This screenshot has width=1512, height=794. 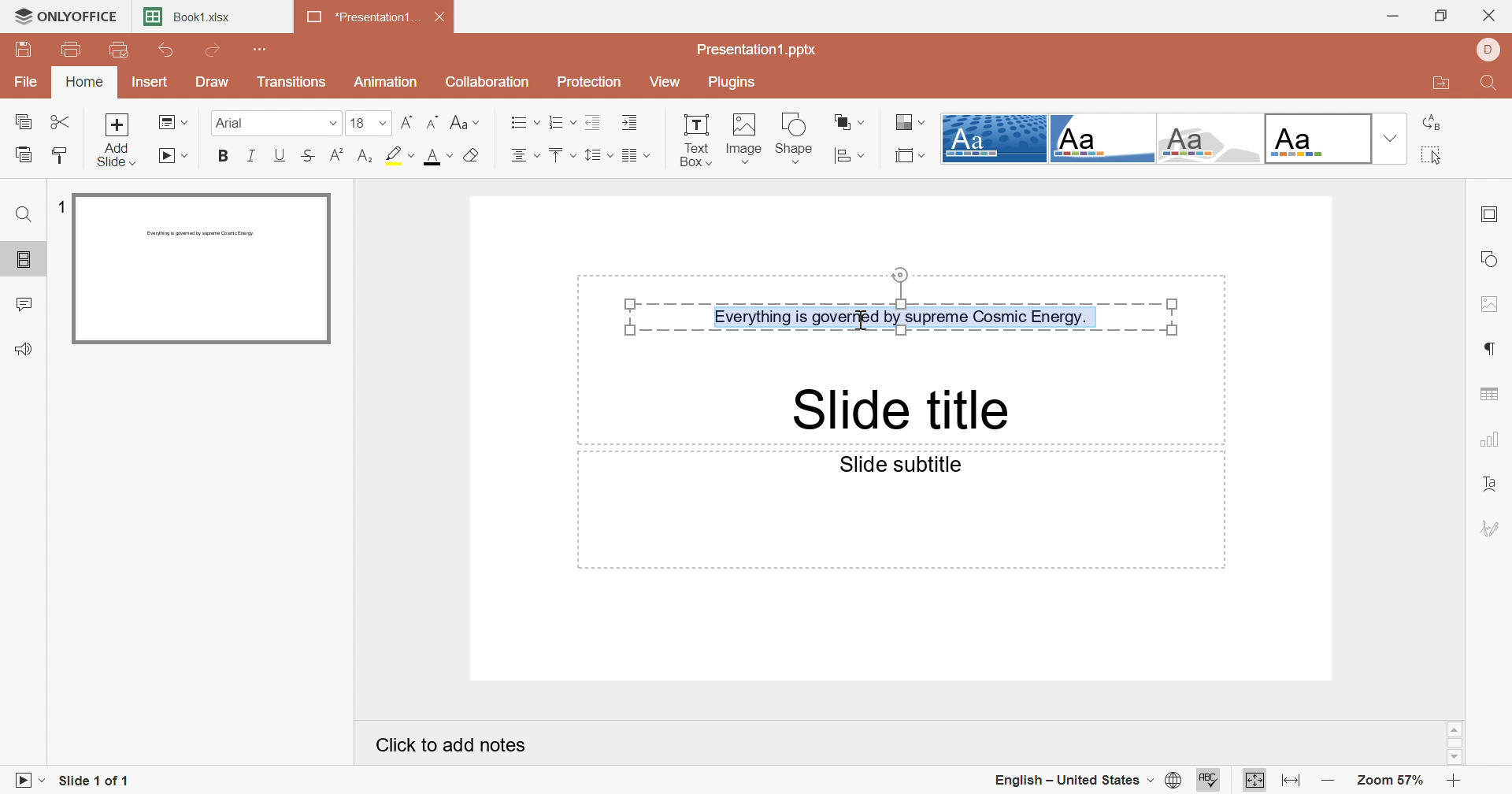 What do you see at coordinates (1492, 304) in the screenshot?
I see `Image` at bounding box center [1492, 304].